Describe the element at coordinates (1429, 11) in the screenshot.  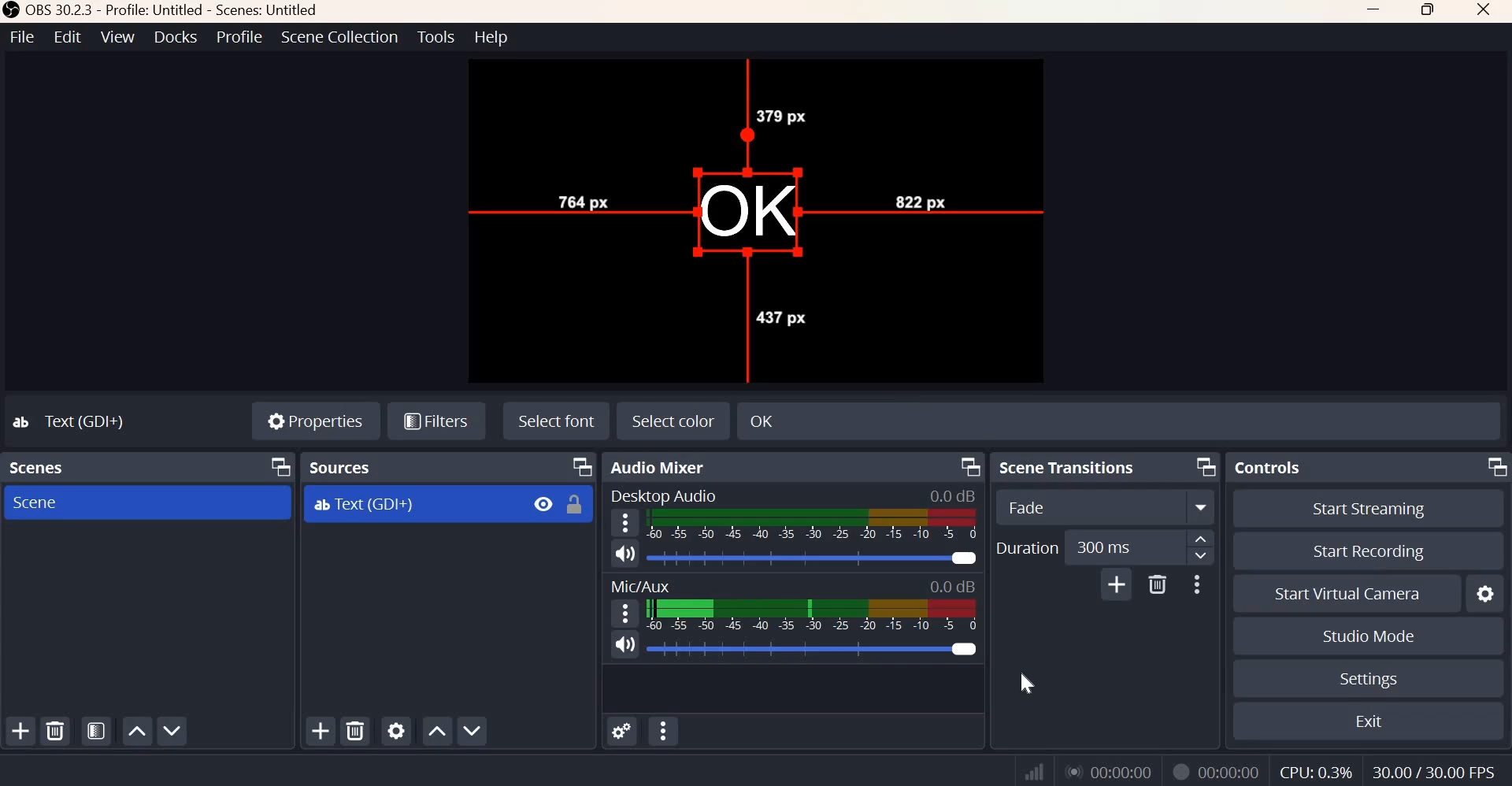
I see `Maximize` at that location.